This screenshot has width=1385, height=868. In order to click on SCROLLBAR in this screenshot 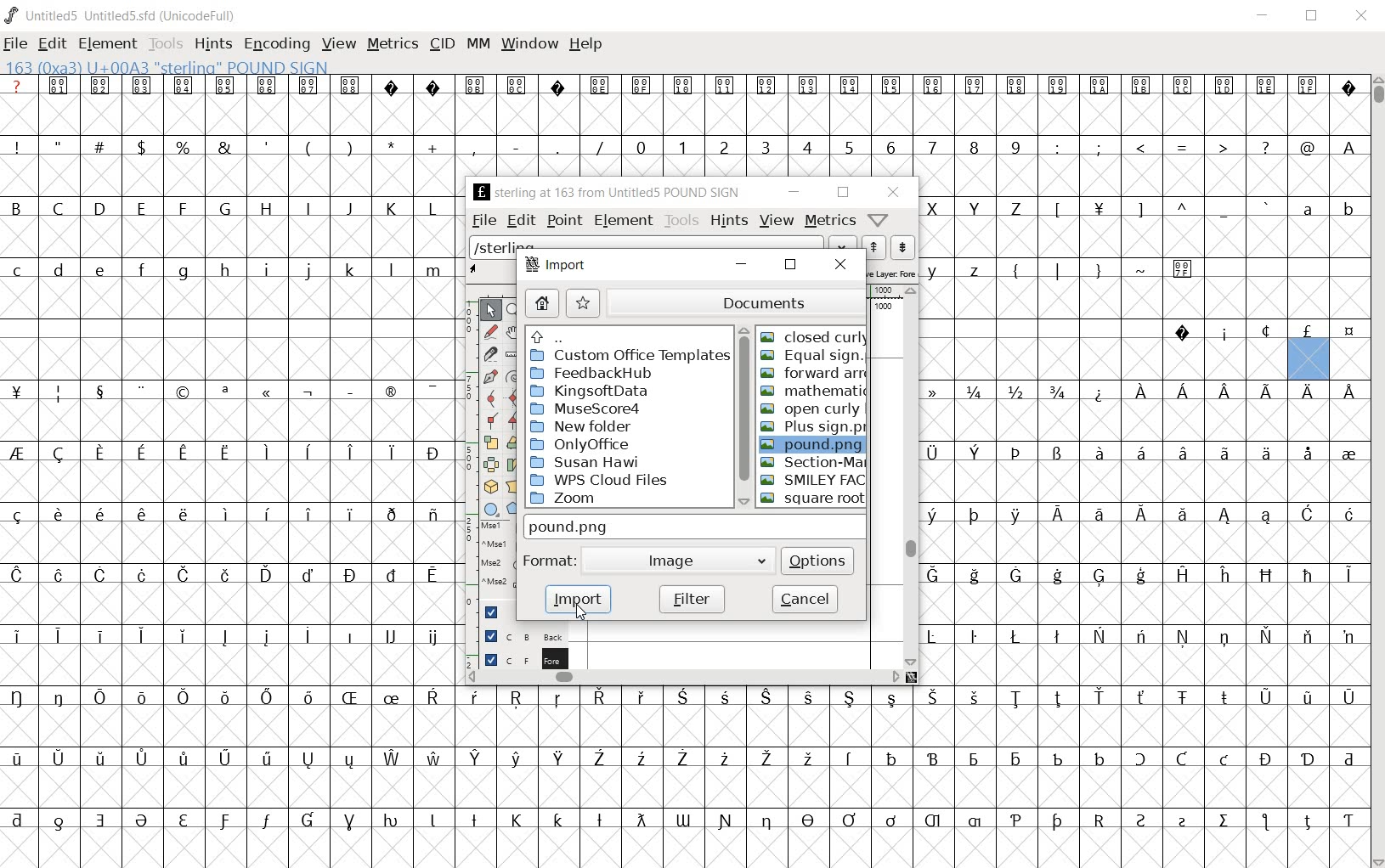, I will do `click(1377, 471)`.